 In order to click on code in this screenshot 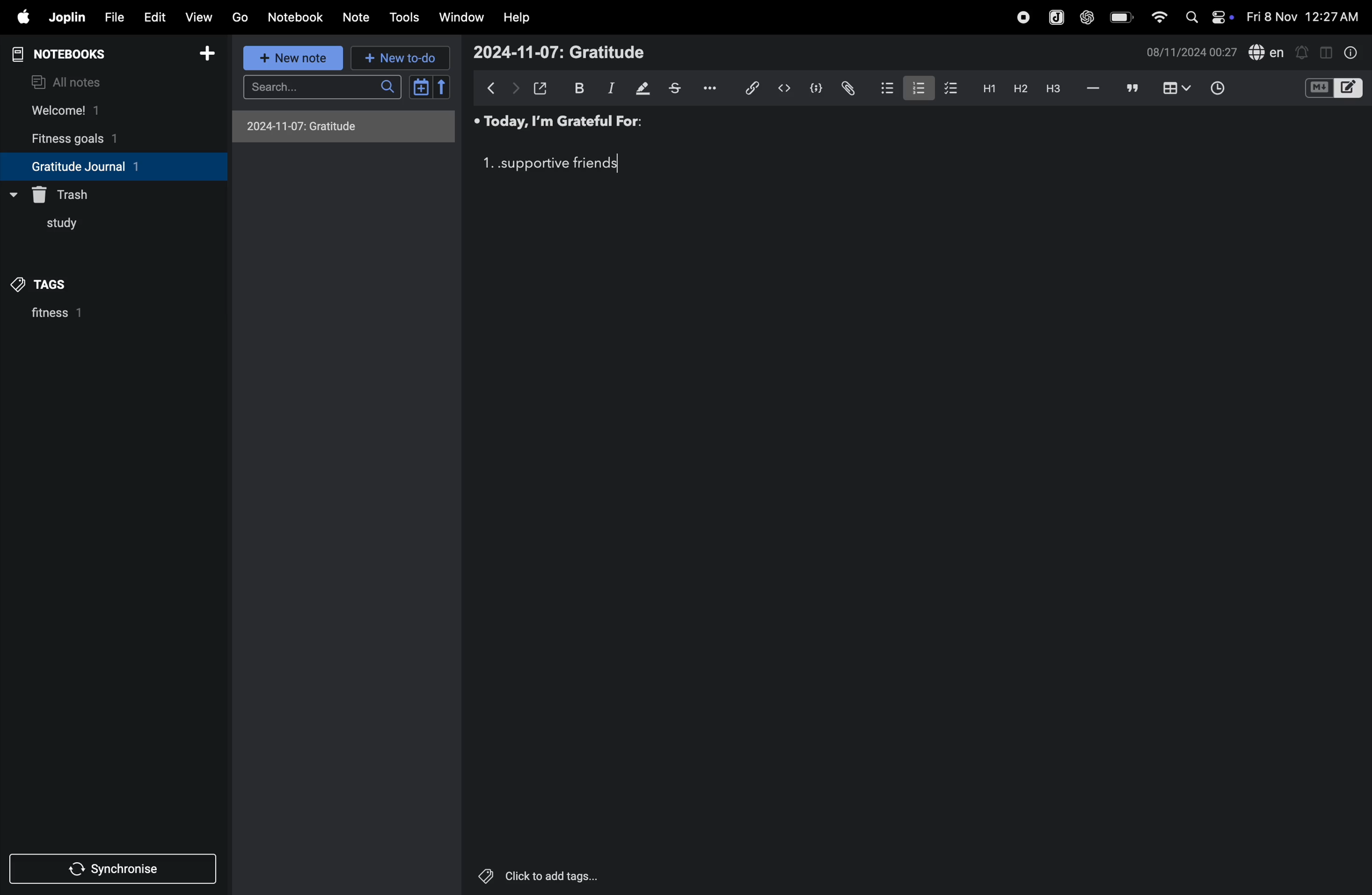, I will do `click(813, 89)`.